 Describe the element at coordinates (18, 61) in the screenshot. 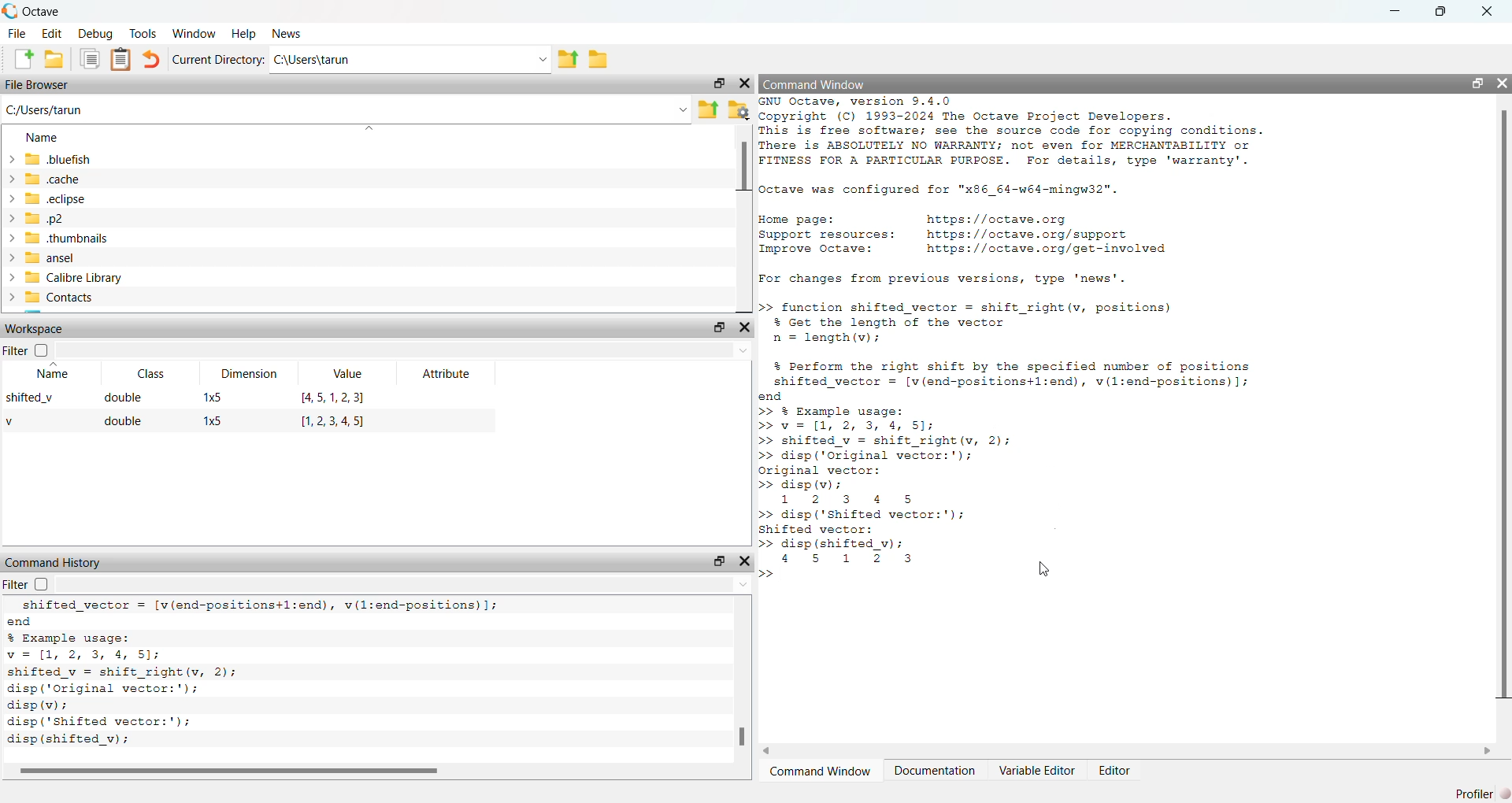

I see `new script` at that location.